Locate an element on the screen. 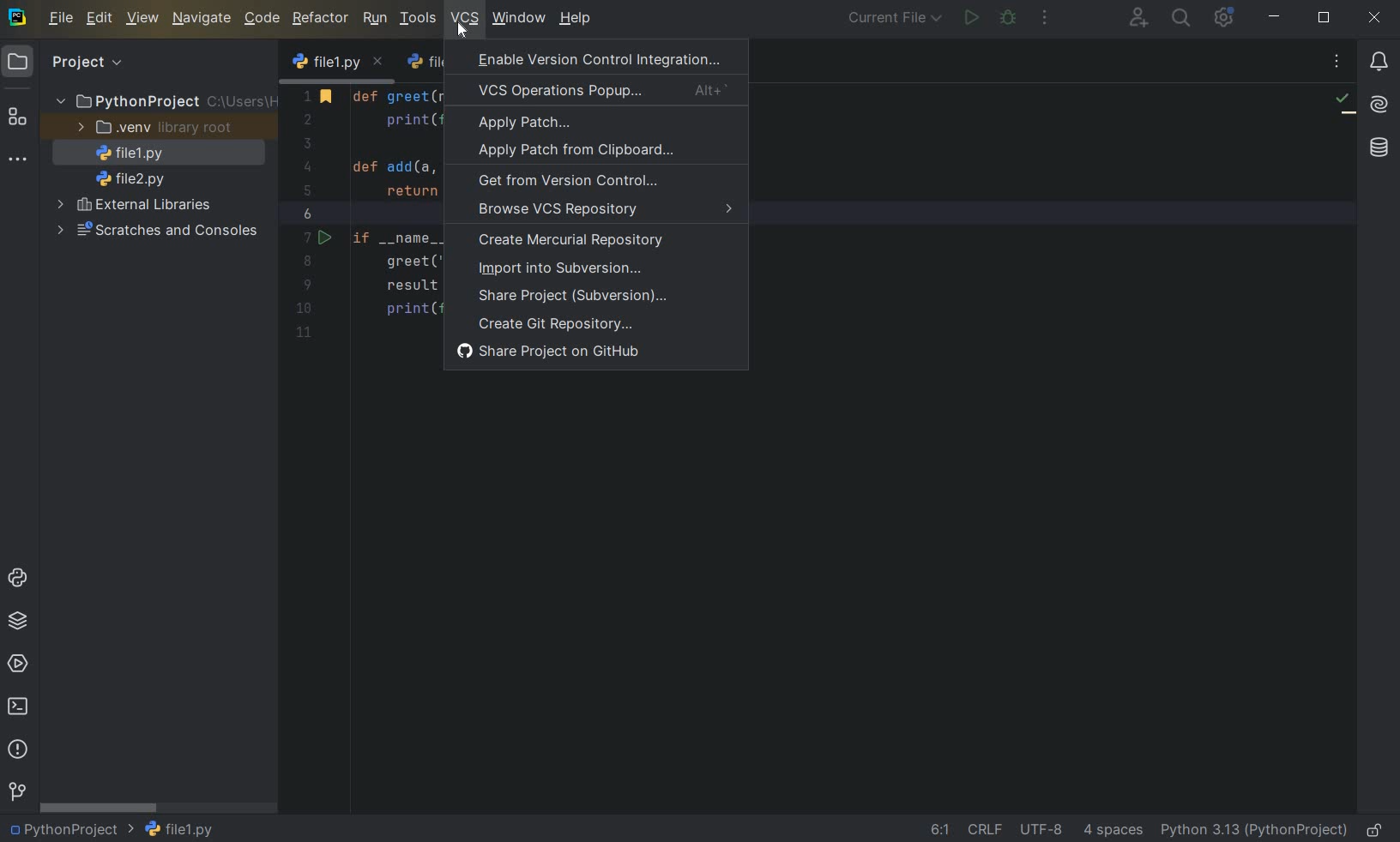 The height and width of the screenshot is (842, 1400). cursor is located at coordinates (461, 31).